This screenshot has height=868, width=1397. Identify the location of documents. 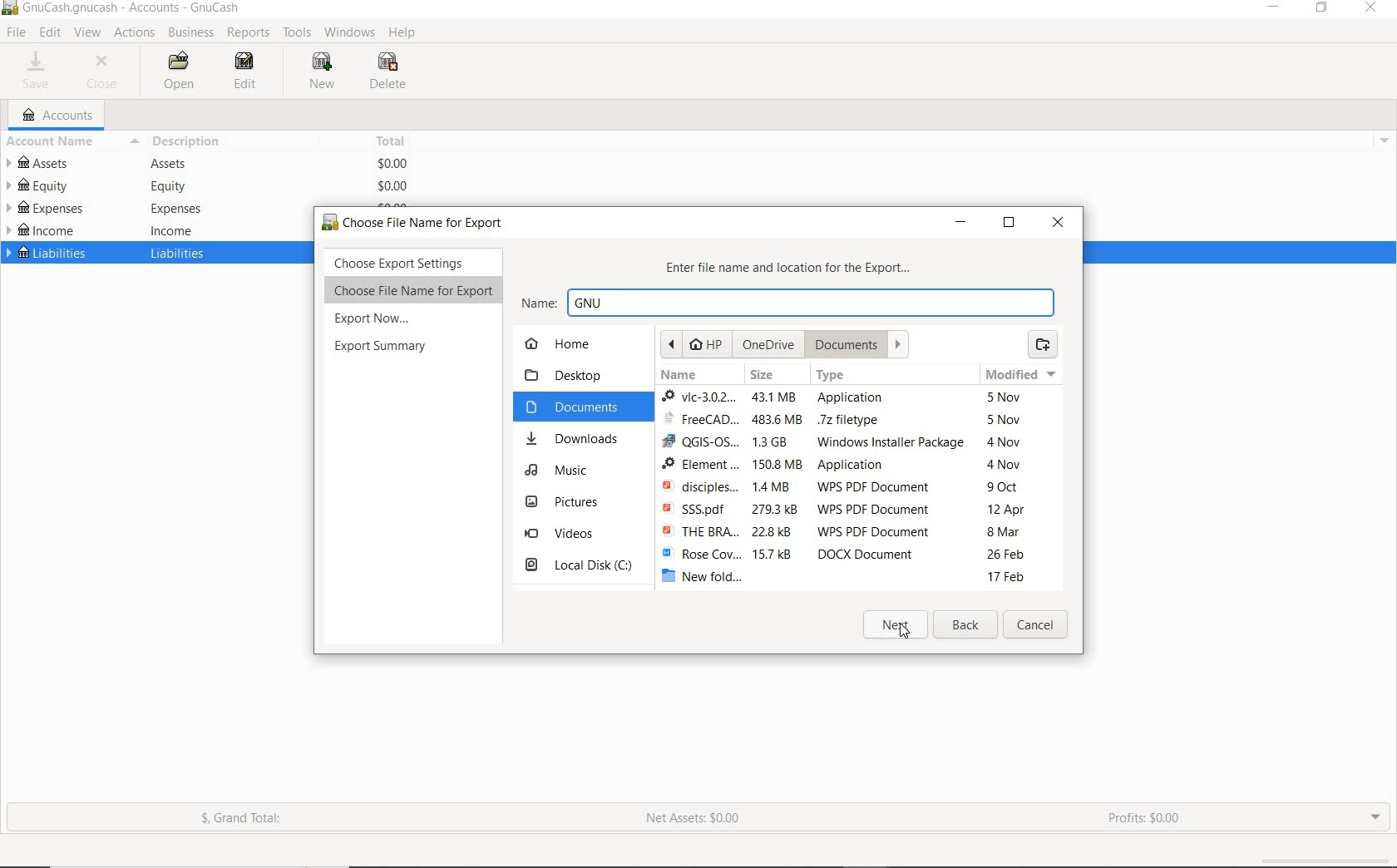
(578, 407).